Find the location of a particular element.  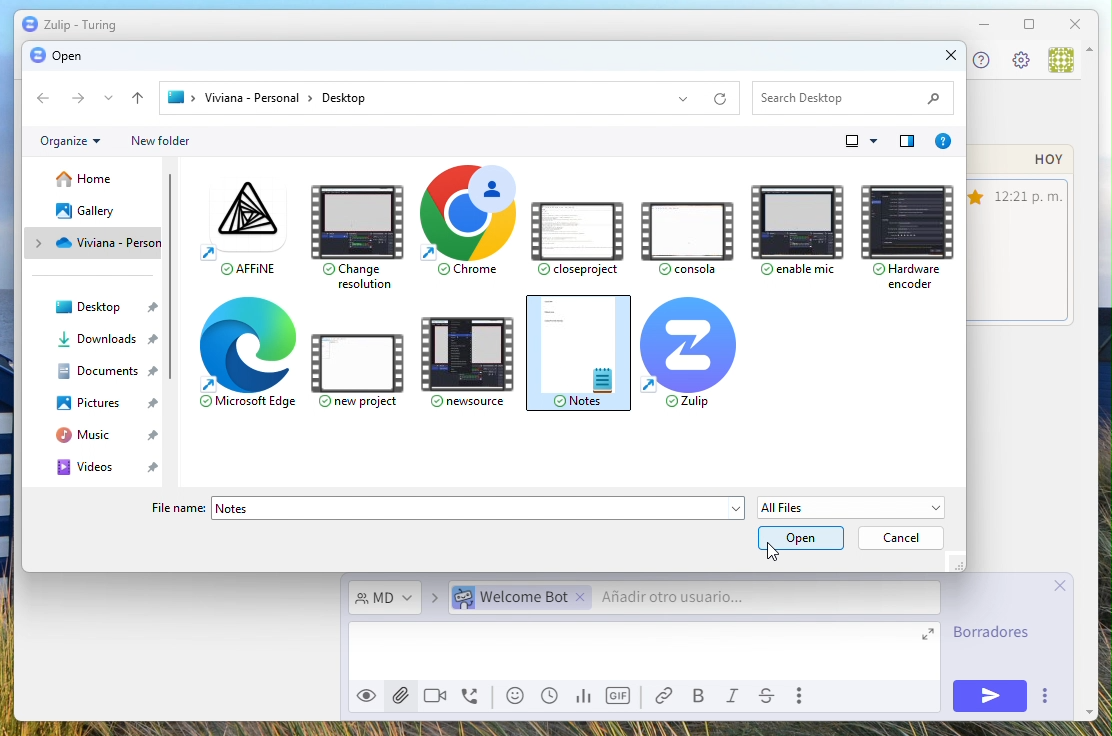

Zulip is located at coordinates (691, 353).